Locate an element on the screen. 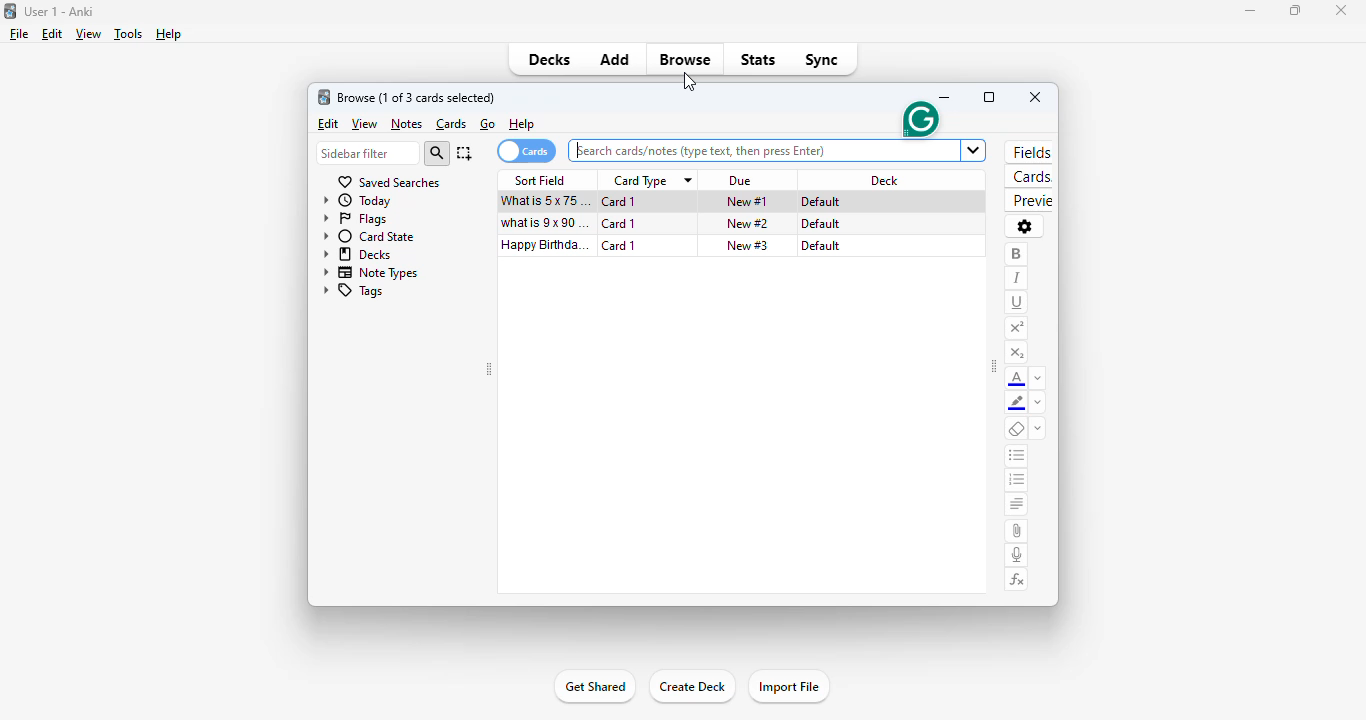  select is located at coordinates (465, 153).